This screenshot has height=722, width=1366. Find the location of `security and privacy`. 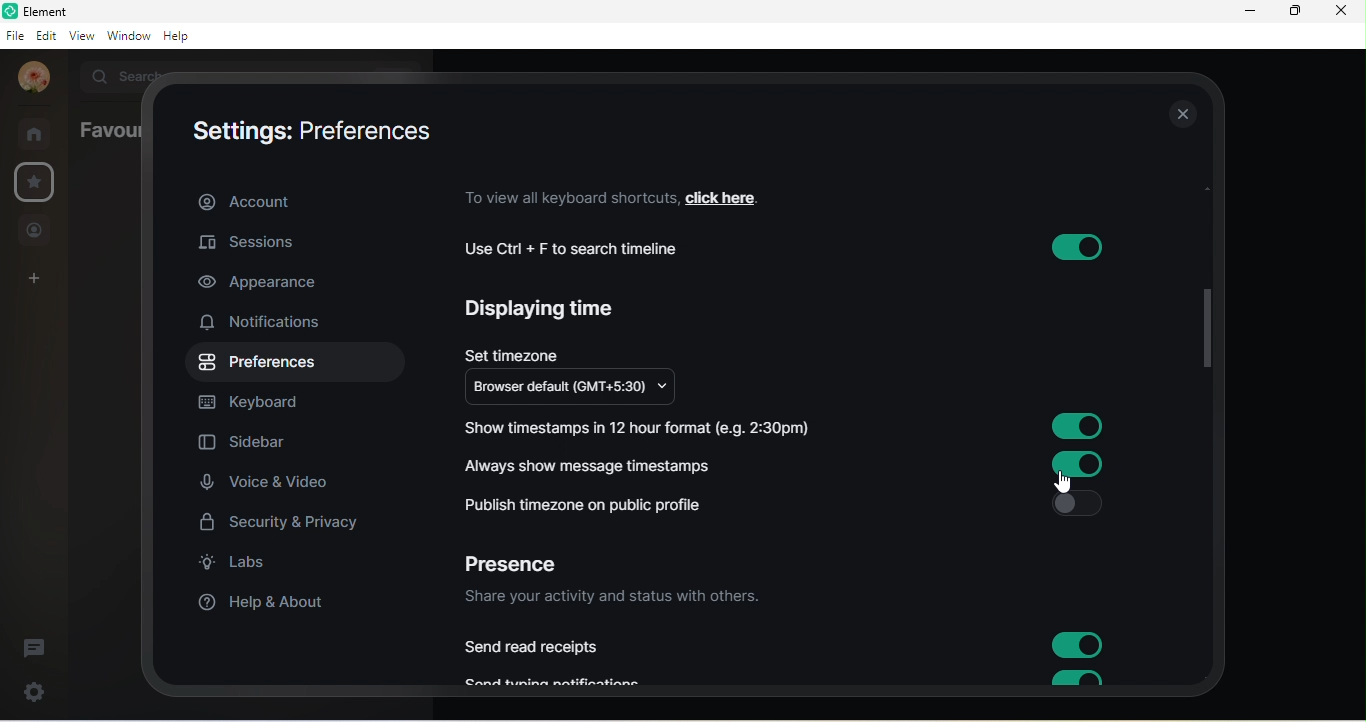

security and privacy is located at coordinates (282, 522).